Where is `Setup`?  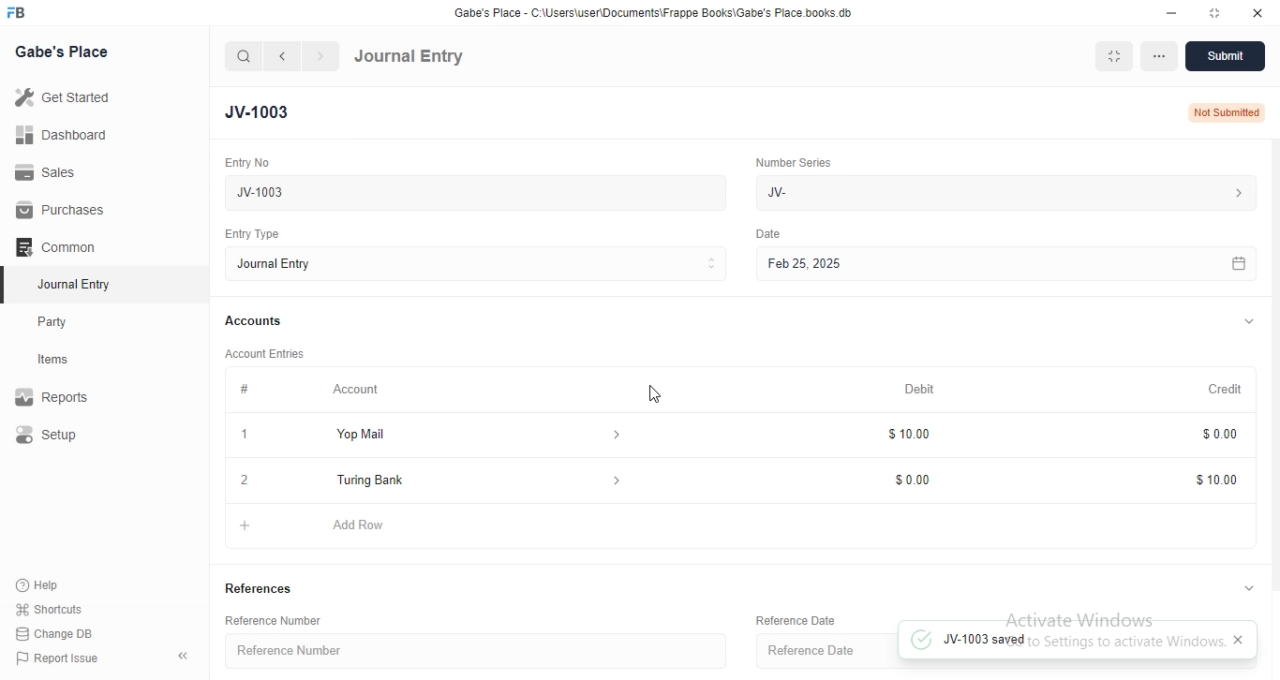
Setup is located at coordinates (68, 436).